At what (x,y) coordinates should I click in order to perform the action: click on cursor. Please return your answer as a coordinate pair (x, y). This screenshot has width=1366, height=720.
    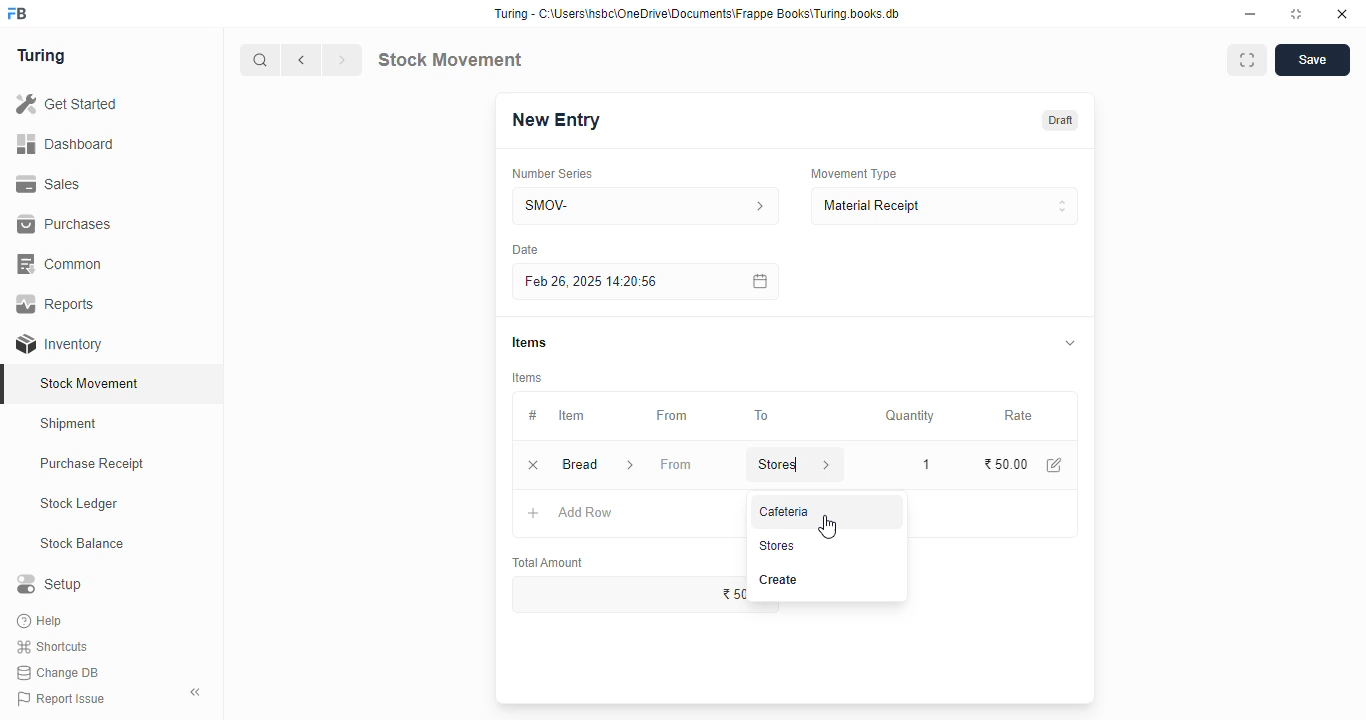
    Looking at the image, I should click on (828, 527).